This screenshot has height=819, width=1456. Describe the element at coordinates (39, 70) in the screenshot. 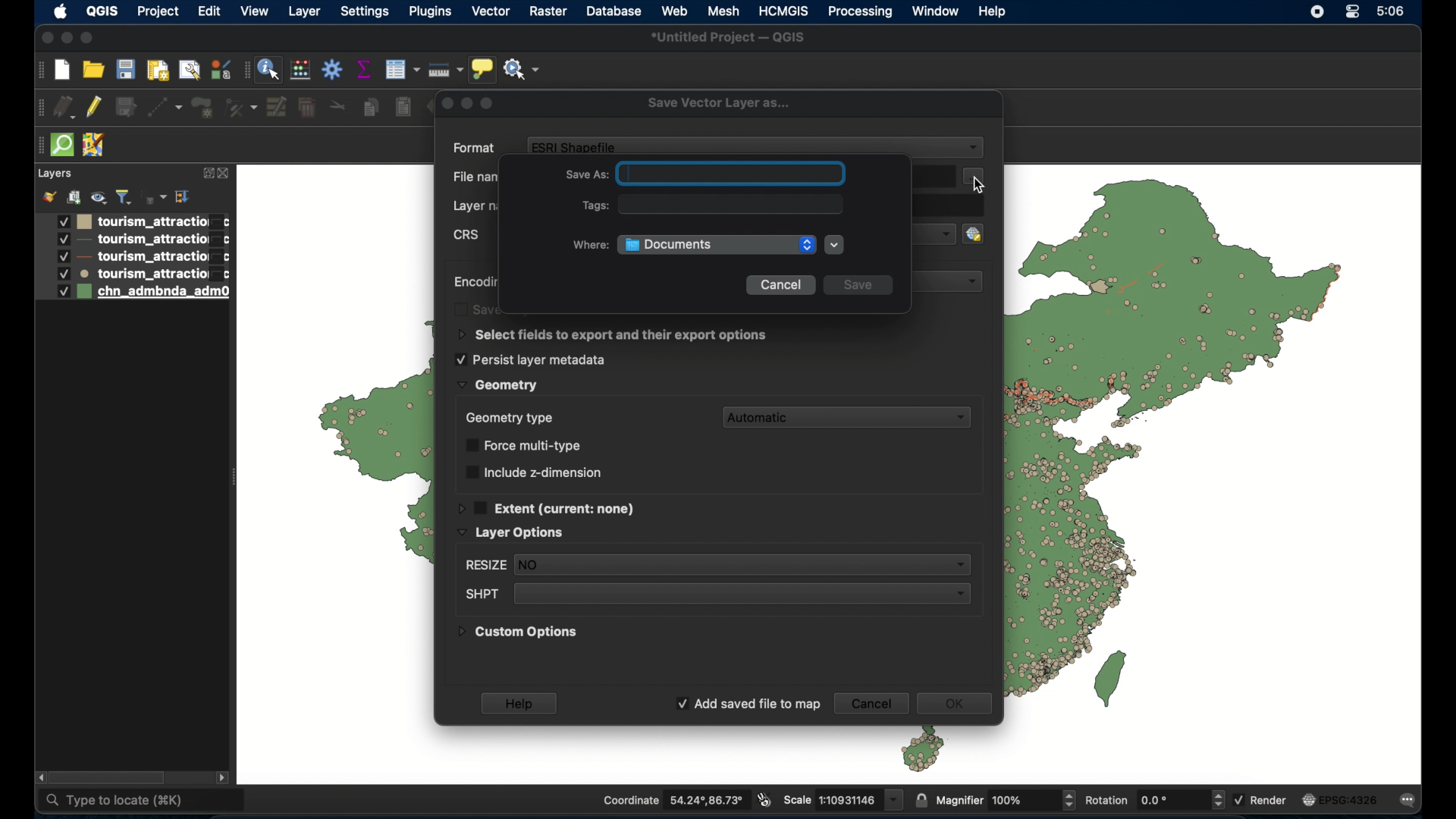

I see `drag handle` at that location.